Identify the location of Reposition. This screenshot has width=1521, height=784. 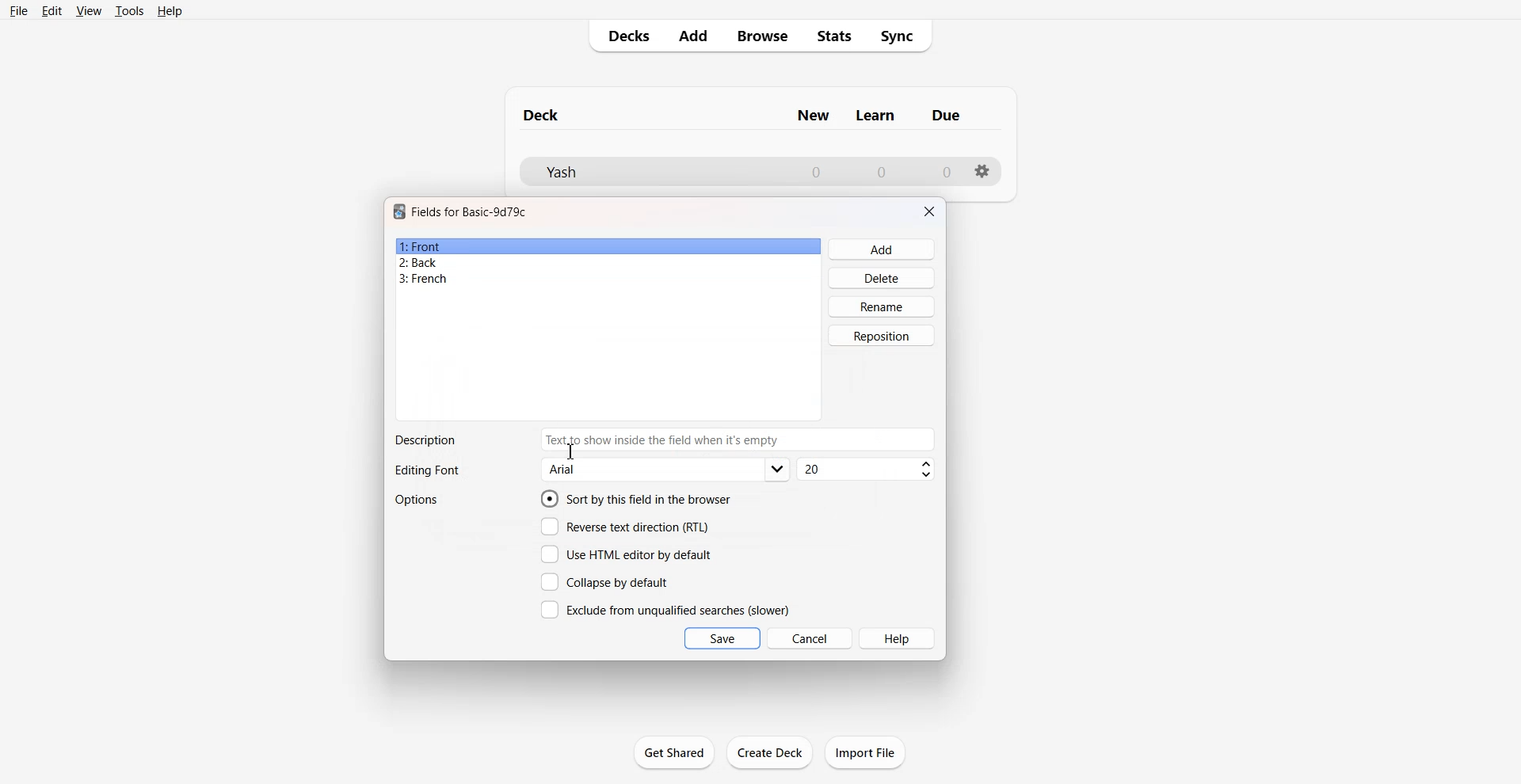
(882, 336).